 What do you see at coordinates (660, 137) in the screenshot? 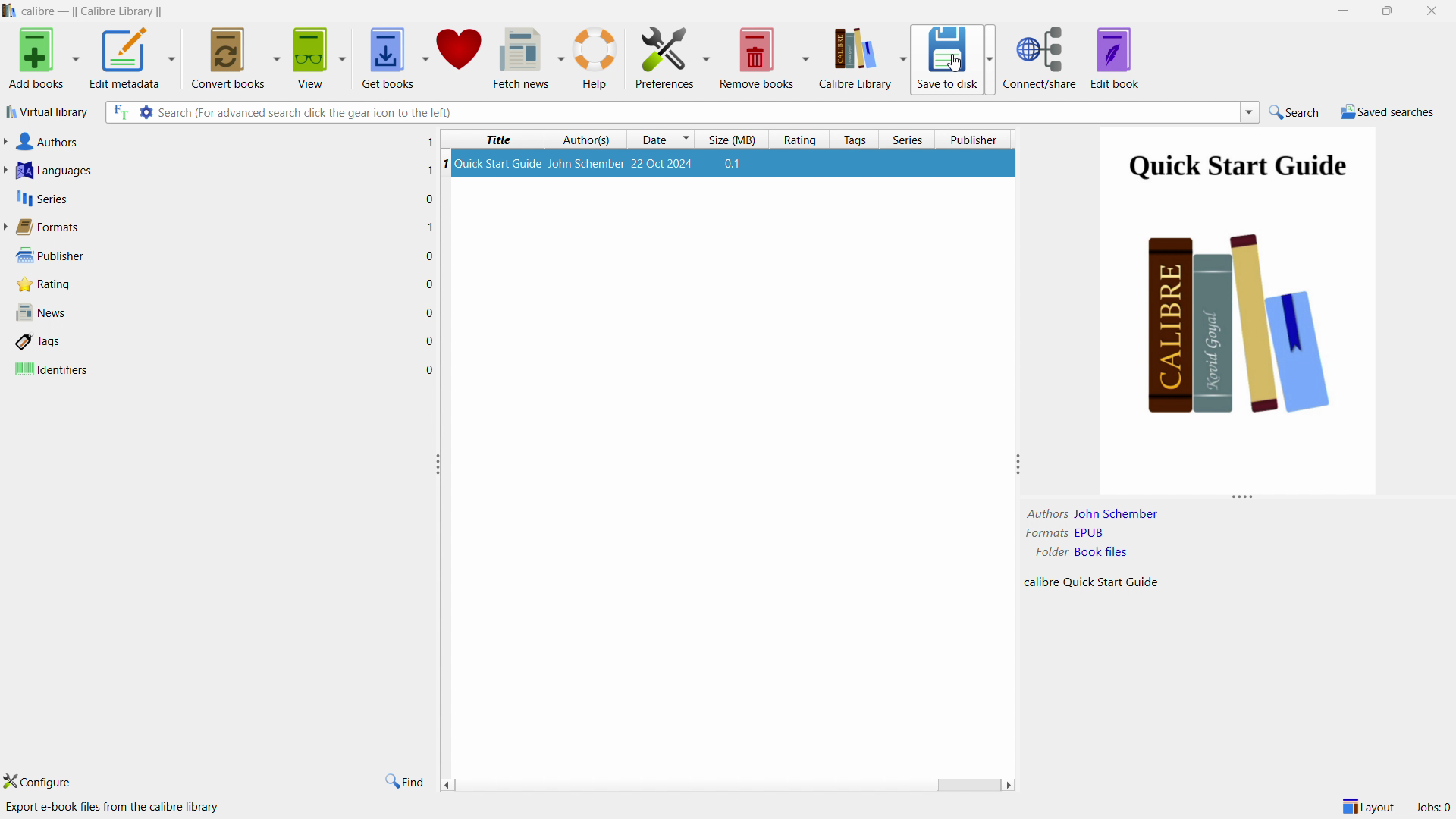
I see `Date` at bounding box center [660, 137].